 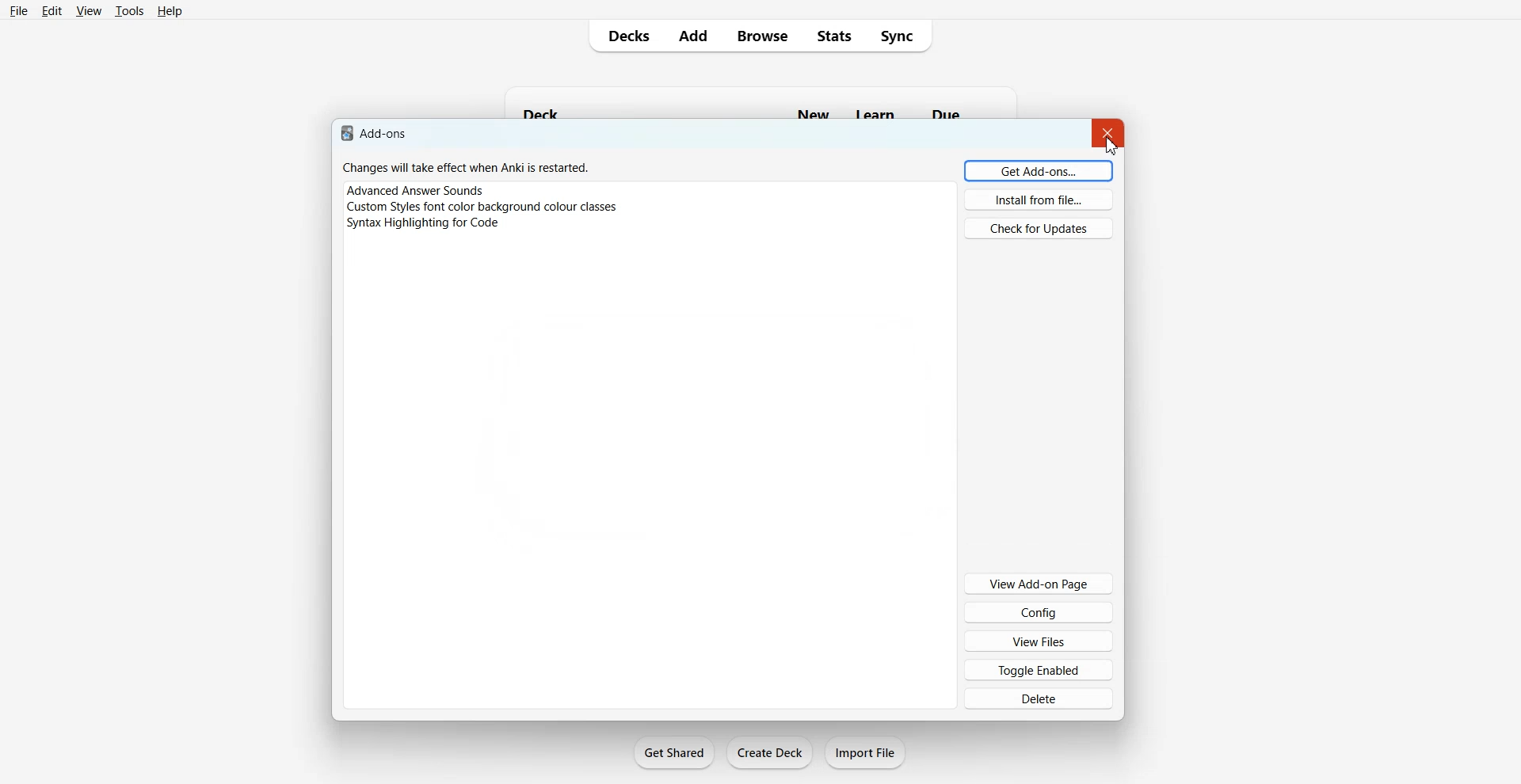 I want to click on View, so click(x=88, y=11).